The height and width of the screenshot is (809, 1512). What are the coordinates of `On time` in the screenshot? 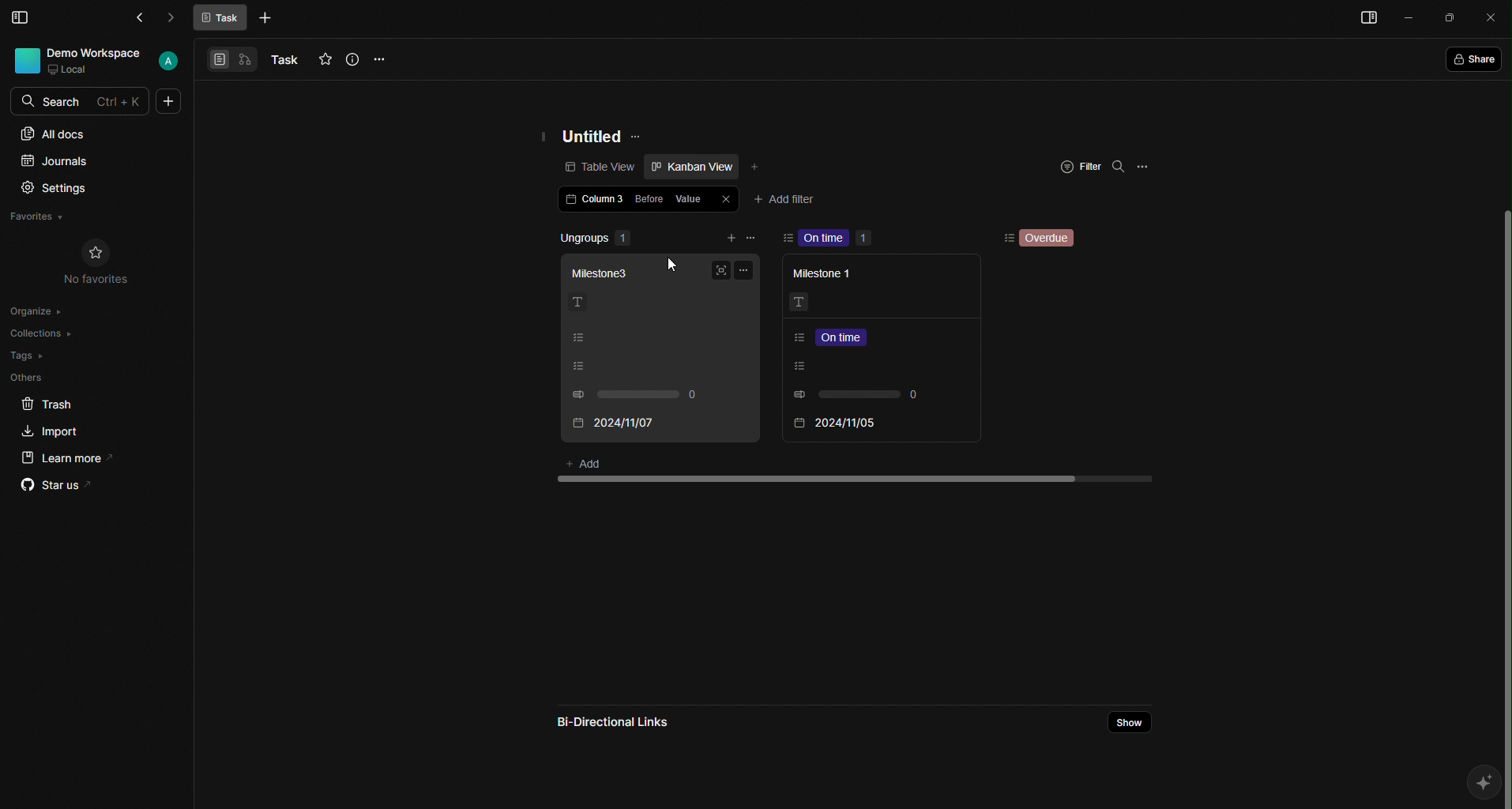 It's located at (841, 238).